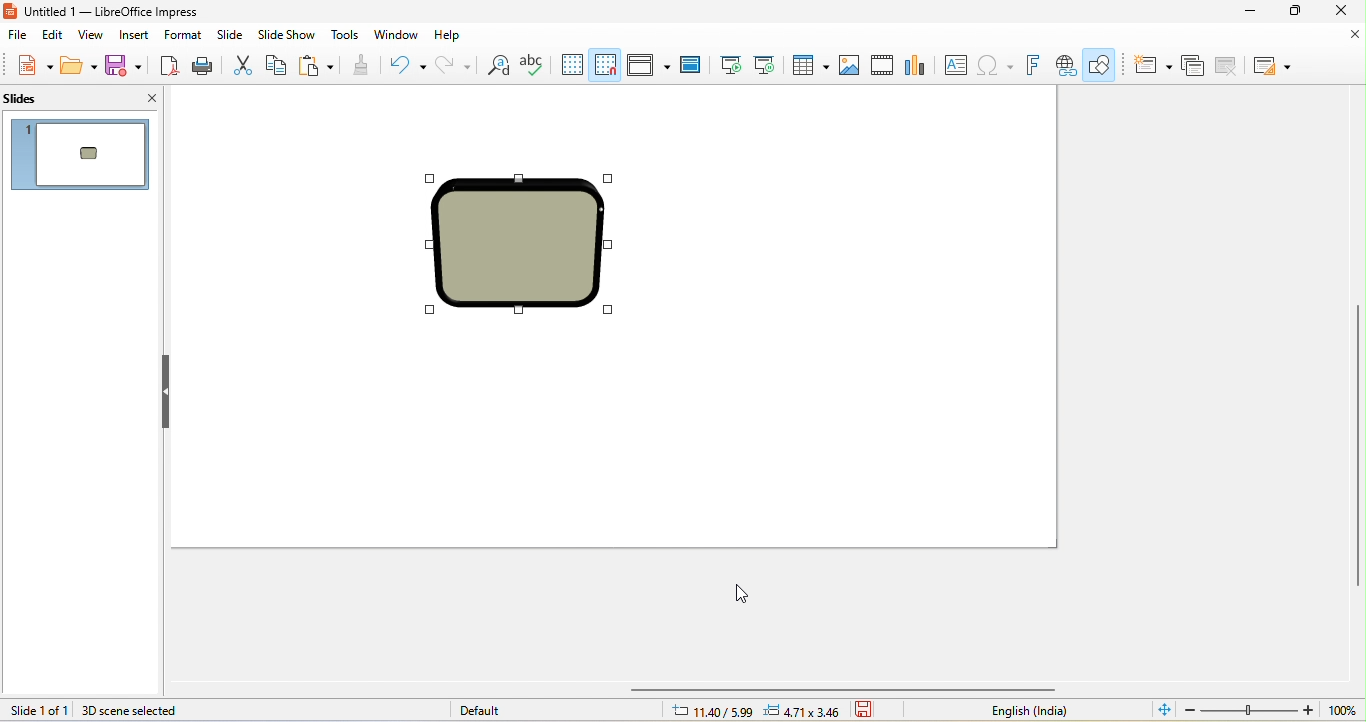 Image resolution: width=1366 pixels, height=722 pixels. I want to click on close, so click(1345, 11).